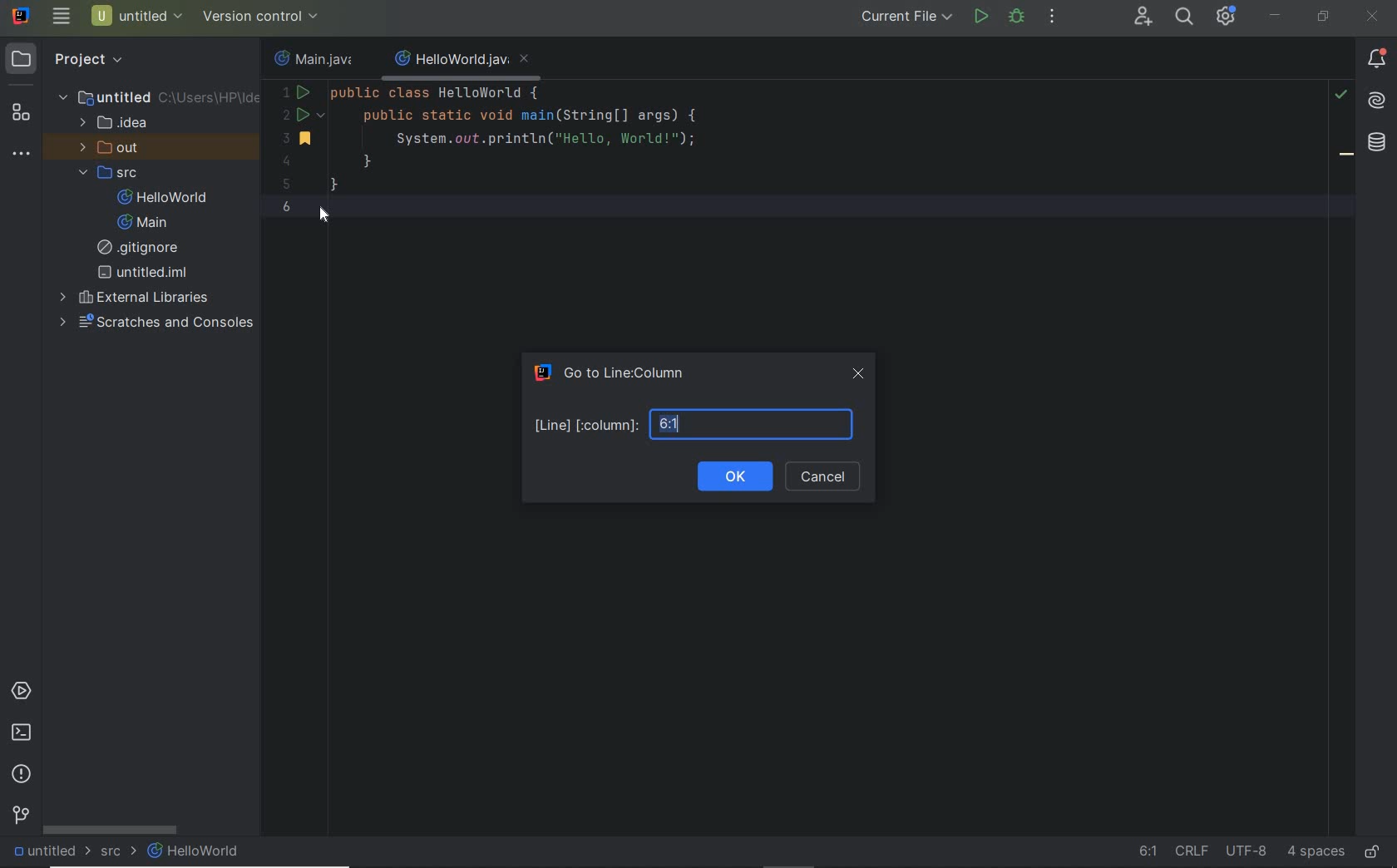 The image size is (1397, 868). I want to click on services, so click(21, 692).